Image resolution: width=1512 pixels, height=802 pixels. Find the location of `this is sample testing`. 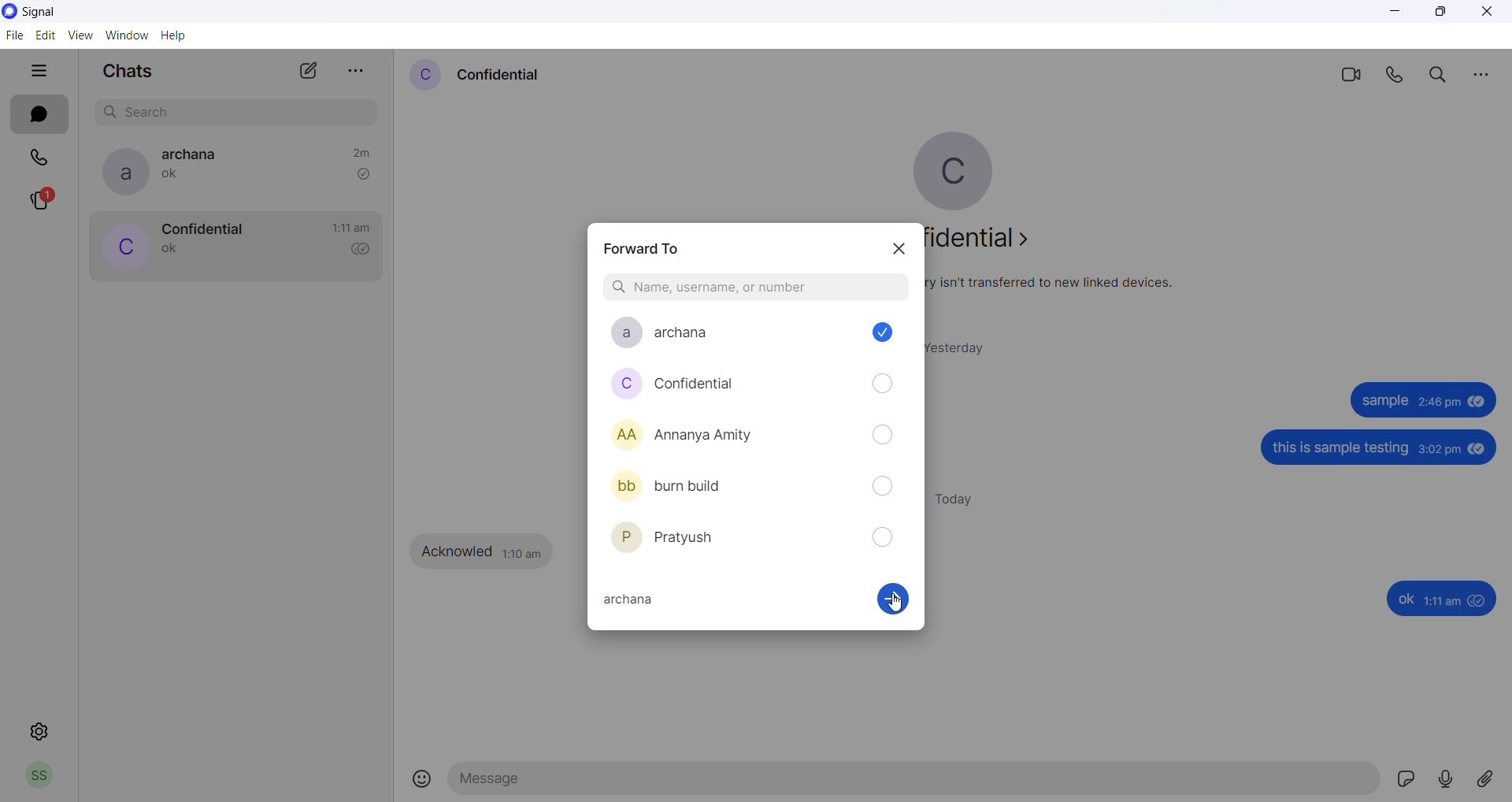

this is sample testing is located at coordinates (1343, 450).